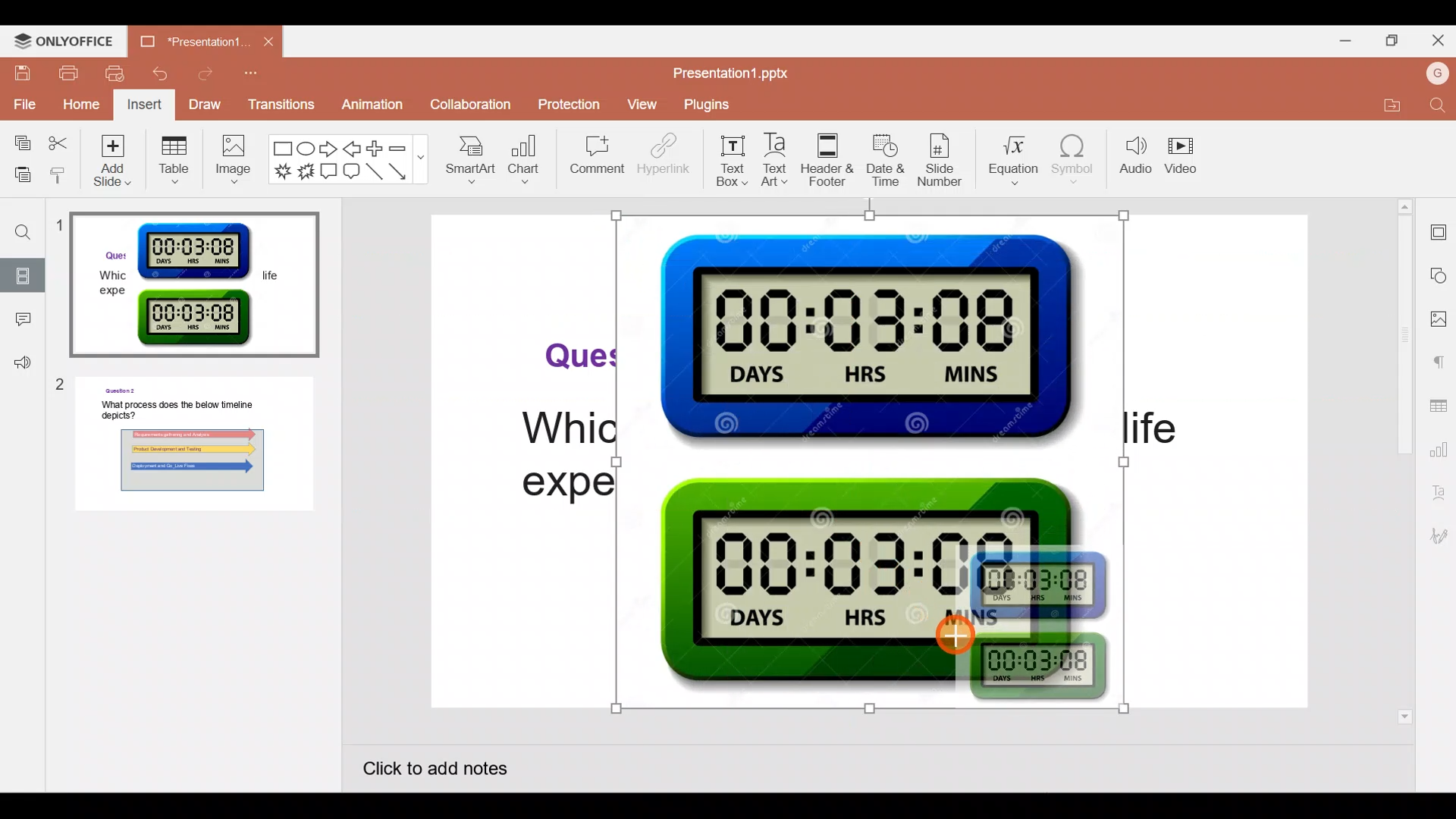  I want to click on Image settings, so click(1441, 321).